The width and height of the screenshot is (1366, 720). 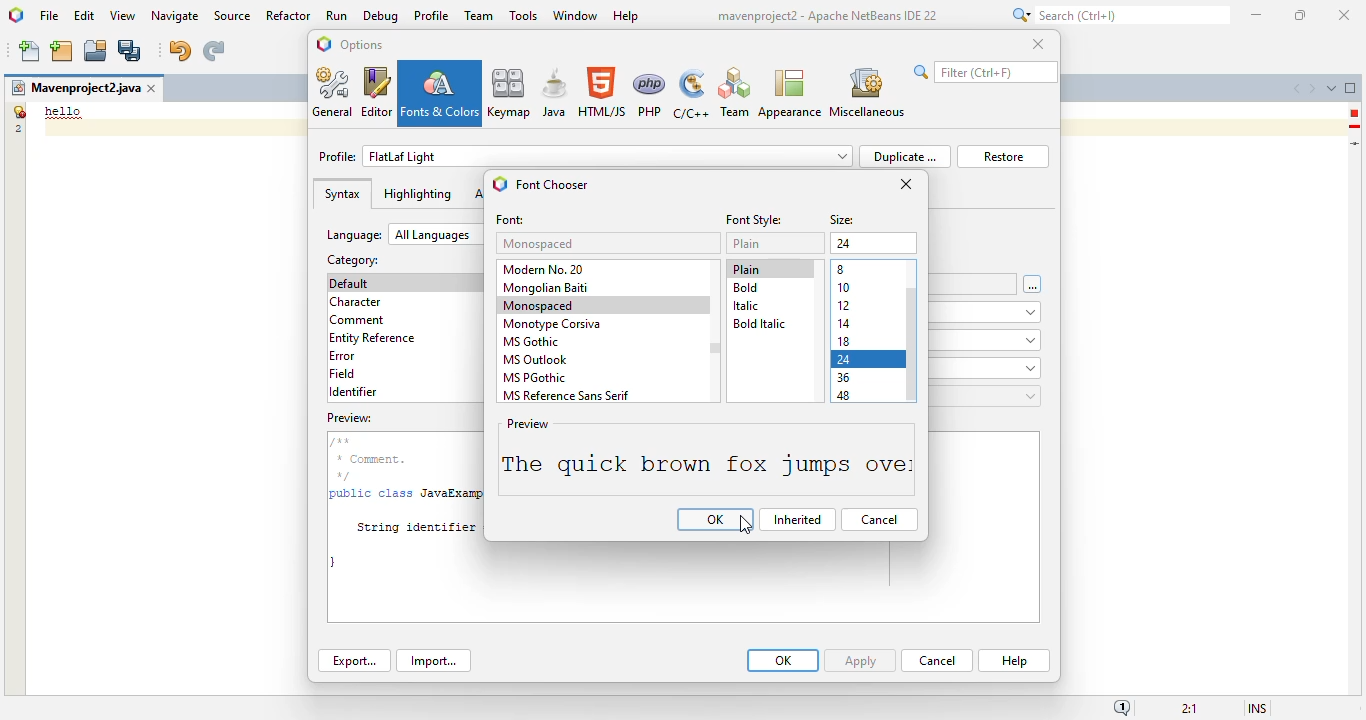 What do you see at coordinates (844, 245) in the screenshot?
I see `12` at bounding box center [844, 245].